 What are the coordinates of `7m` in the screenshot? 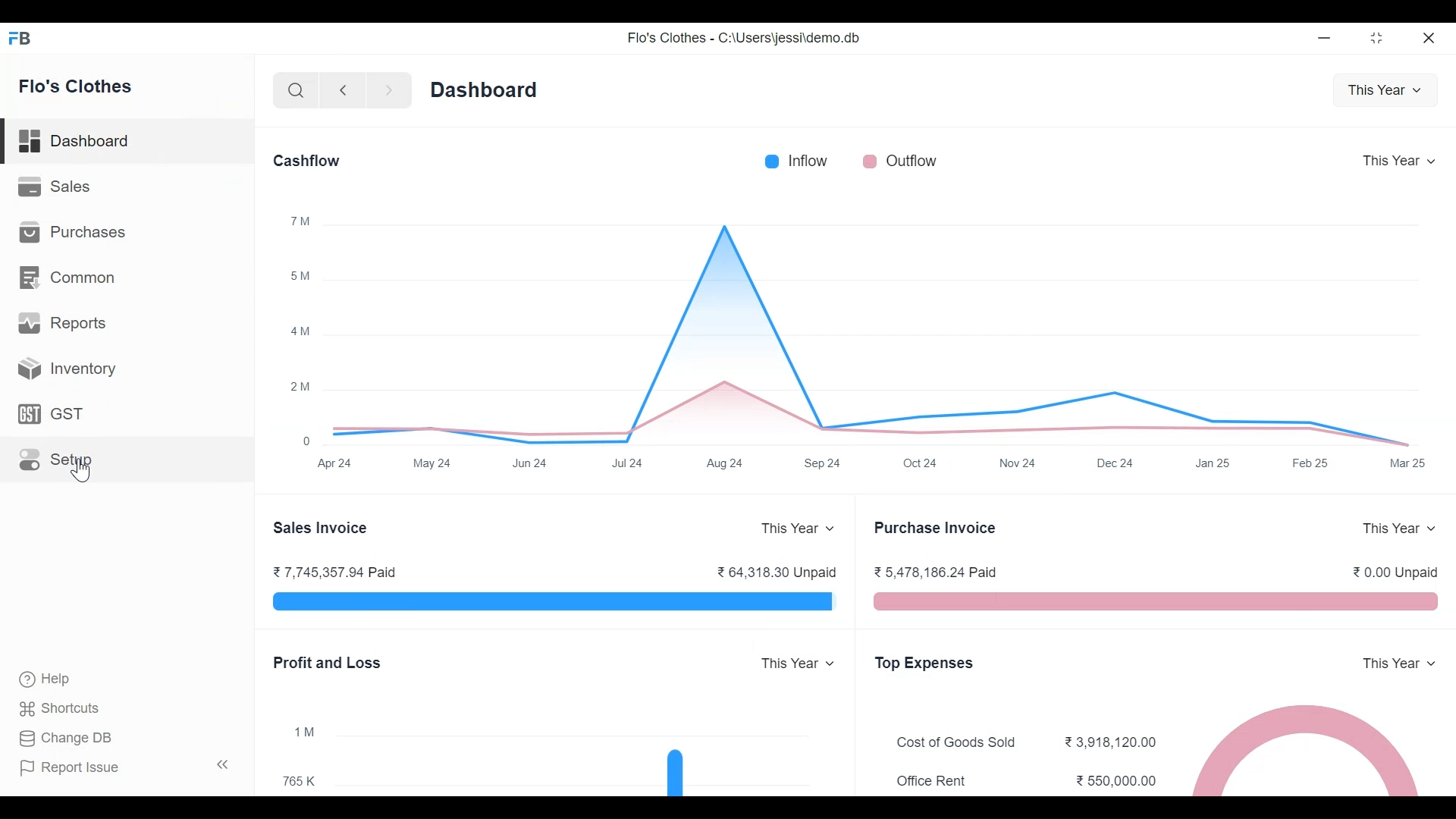 It's located at (295, 221).